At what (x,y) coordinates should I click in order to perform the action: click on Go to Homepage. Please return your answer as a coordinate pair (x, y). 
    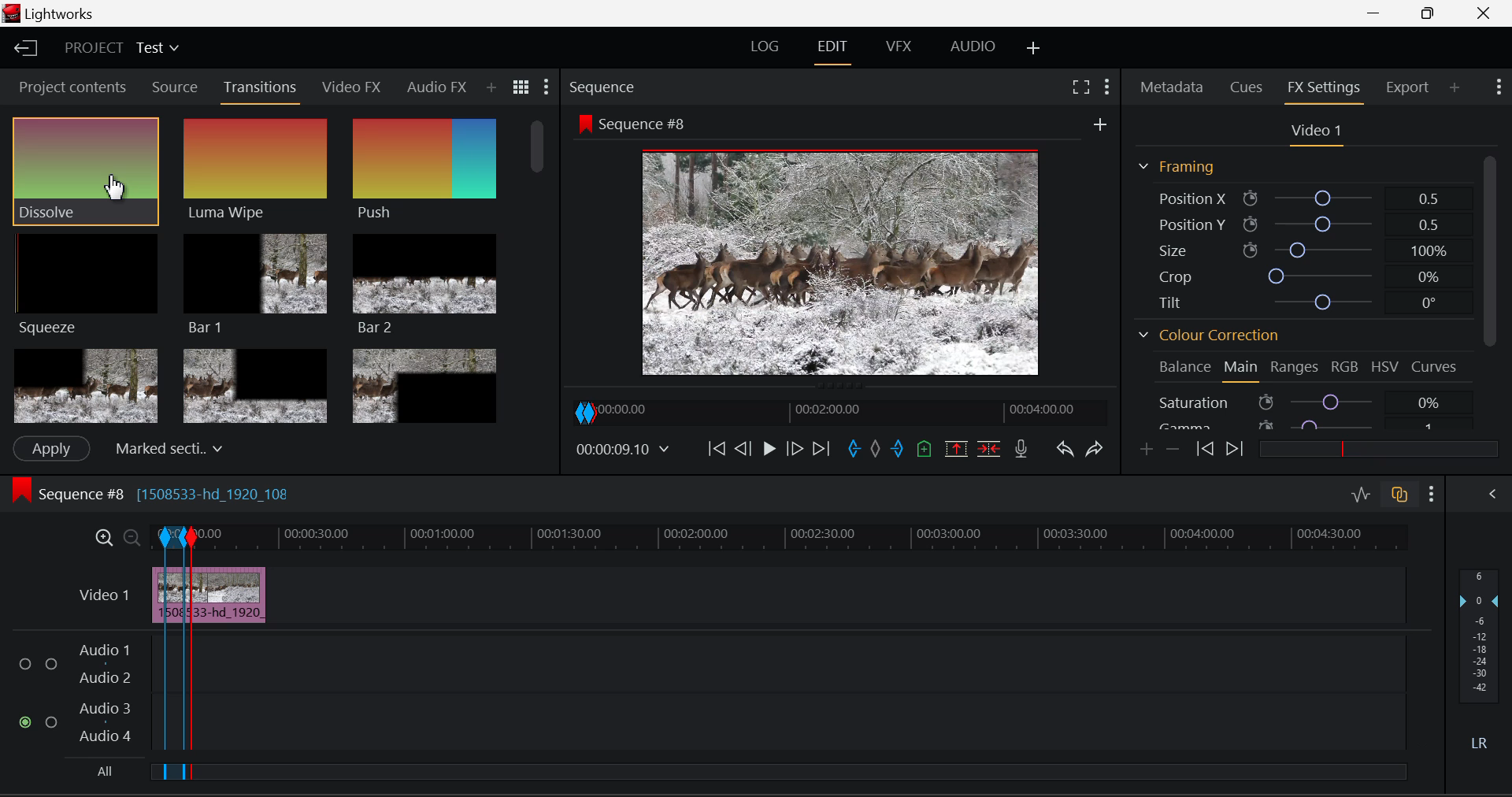
    Looking at the image, I should click on (27, 50).